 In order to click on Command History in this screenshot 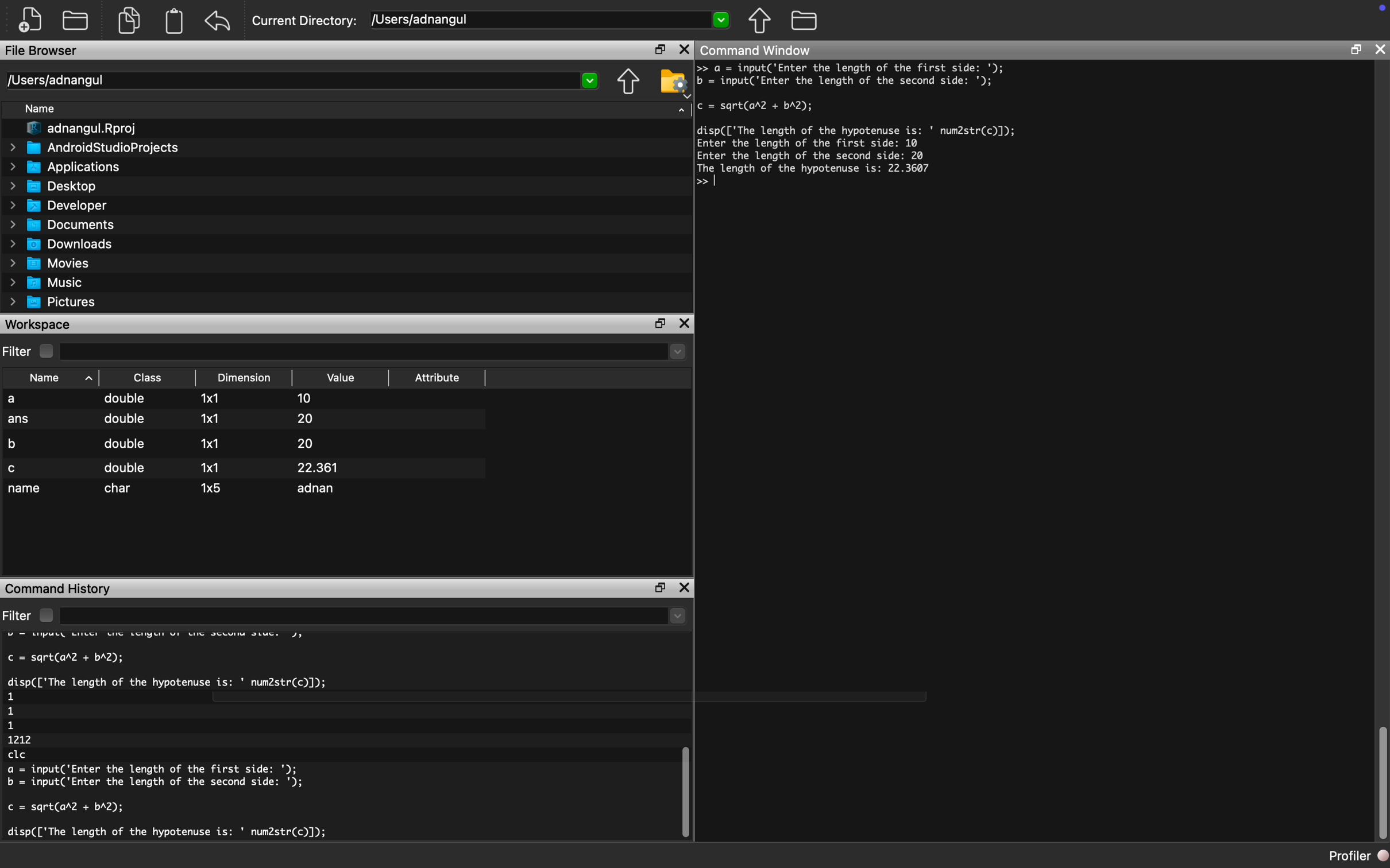, I will do `click(60, 587)`.